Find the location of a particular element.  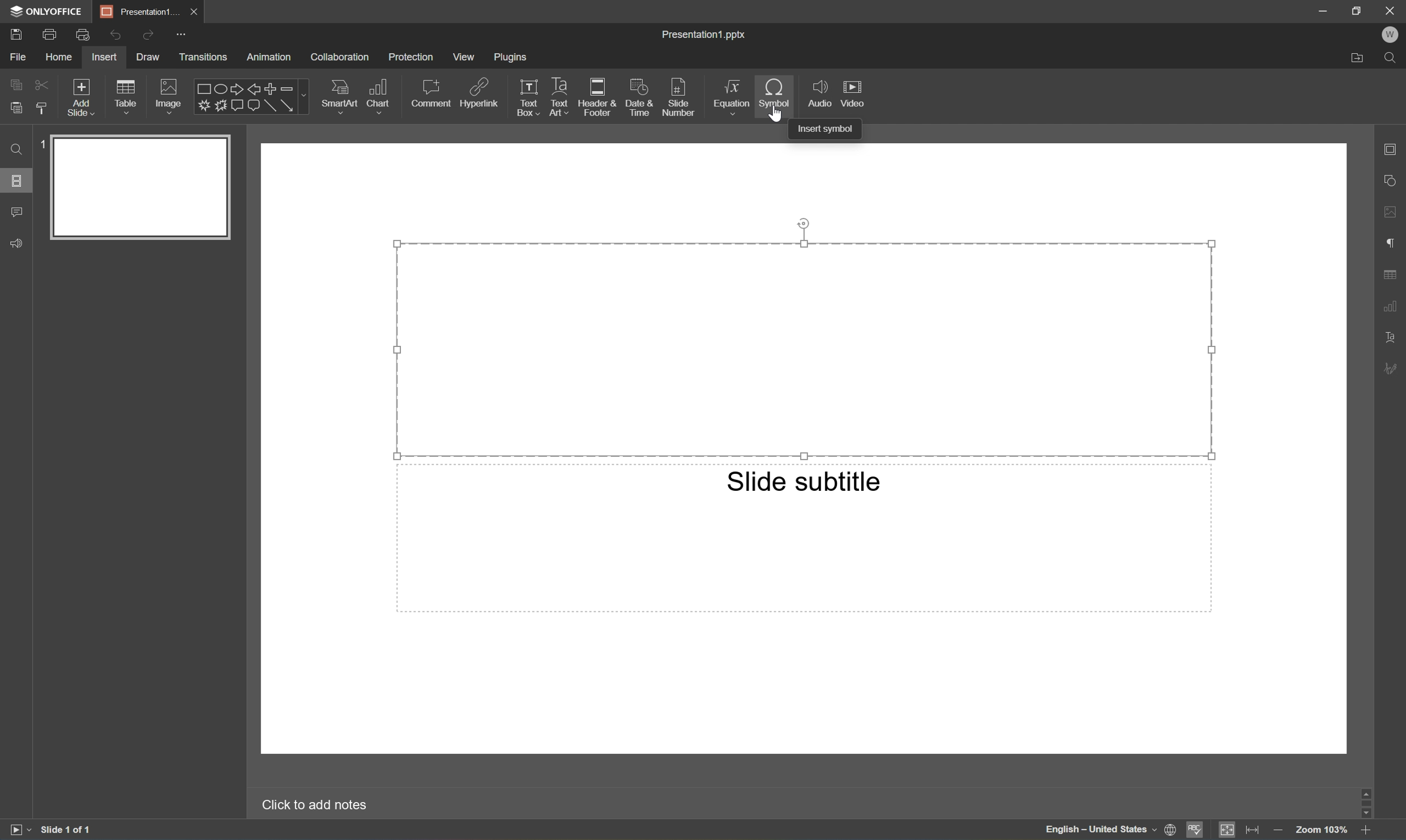

Redo is located at coordinates (146, 36).